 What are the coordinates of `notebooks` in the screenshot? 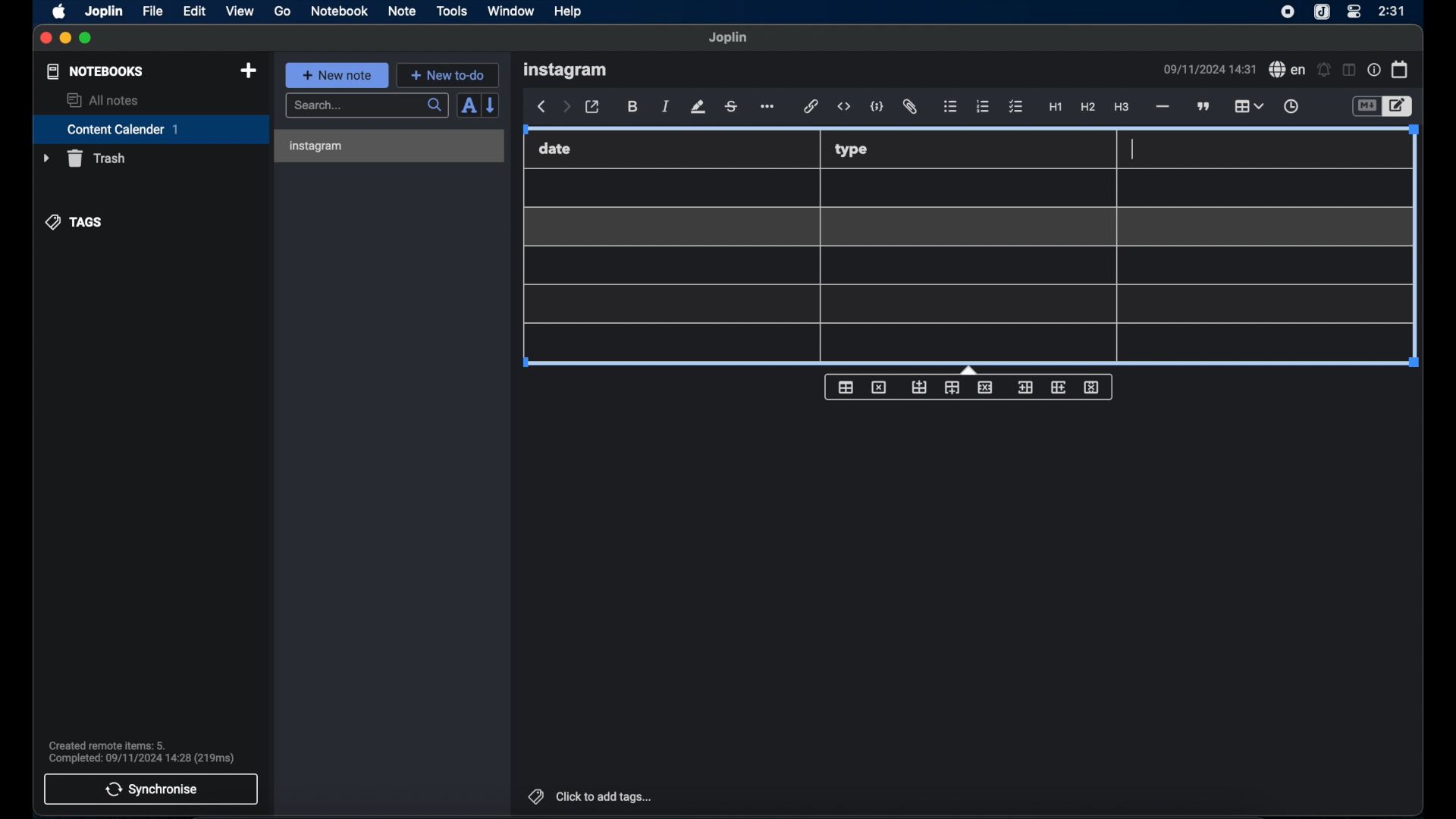 It's located at (96, 71).